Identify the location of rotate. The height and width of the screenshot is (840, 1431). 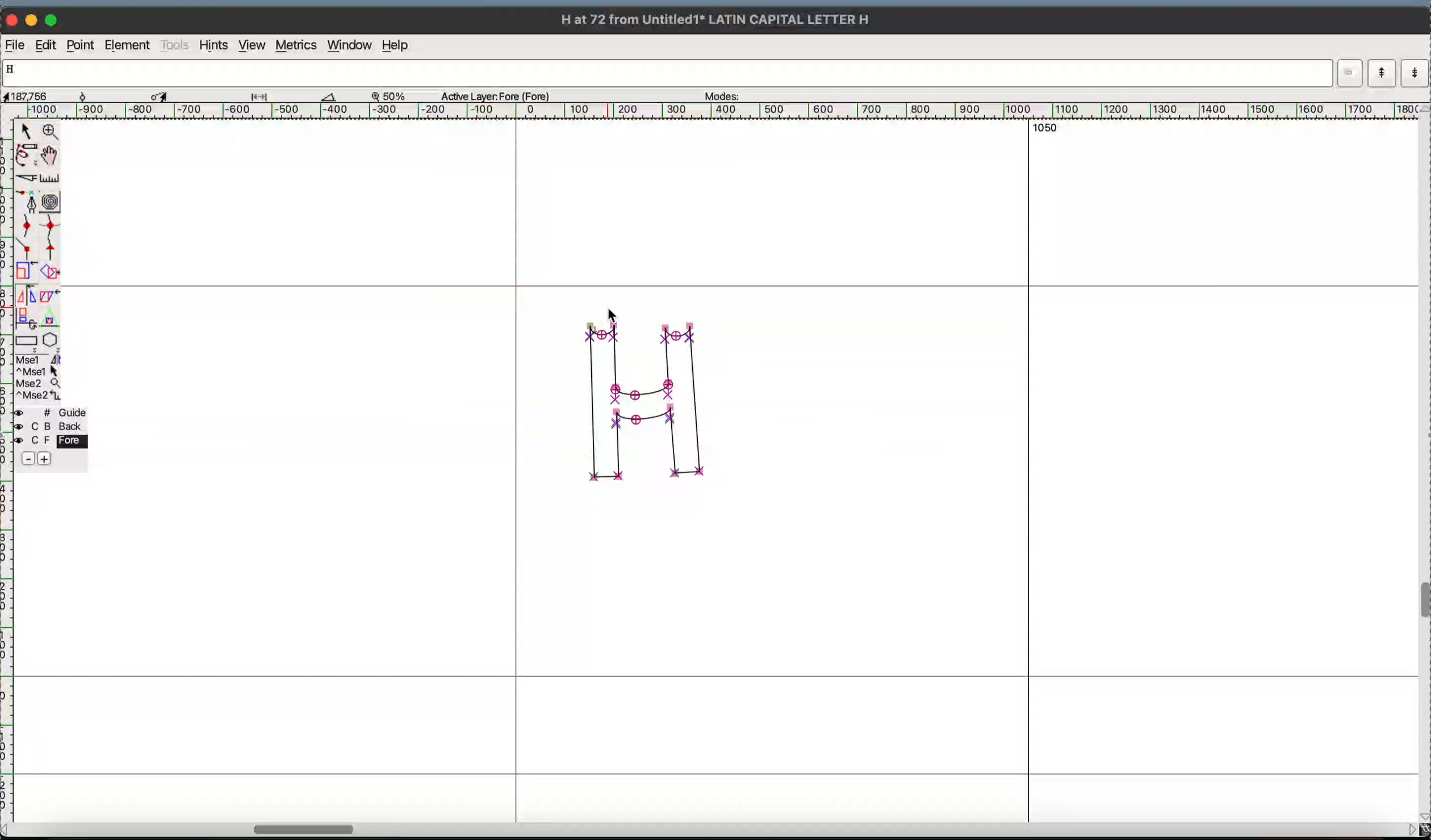
(51, 272).